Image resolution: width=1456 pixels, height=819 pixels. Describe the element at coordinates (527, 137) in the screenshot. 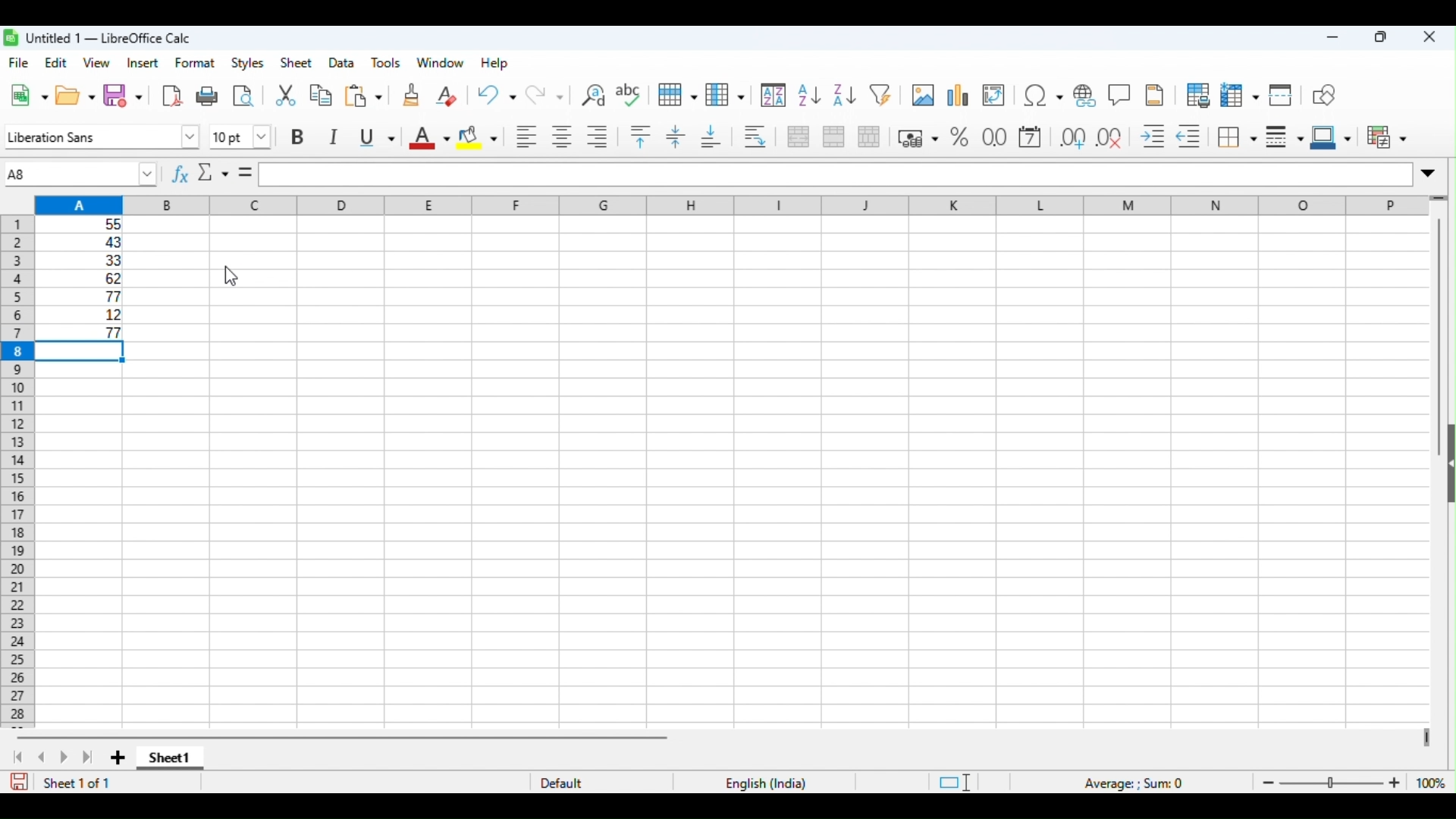

I see `align left` at that location.